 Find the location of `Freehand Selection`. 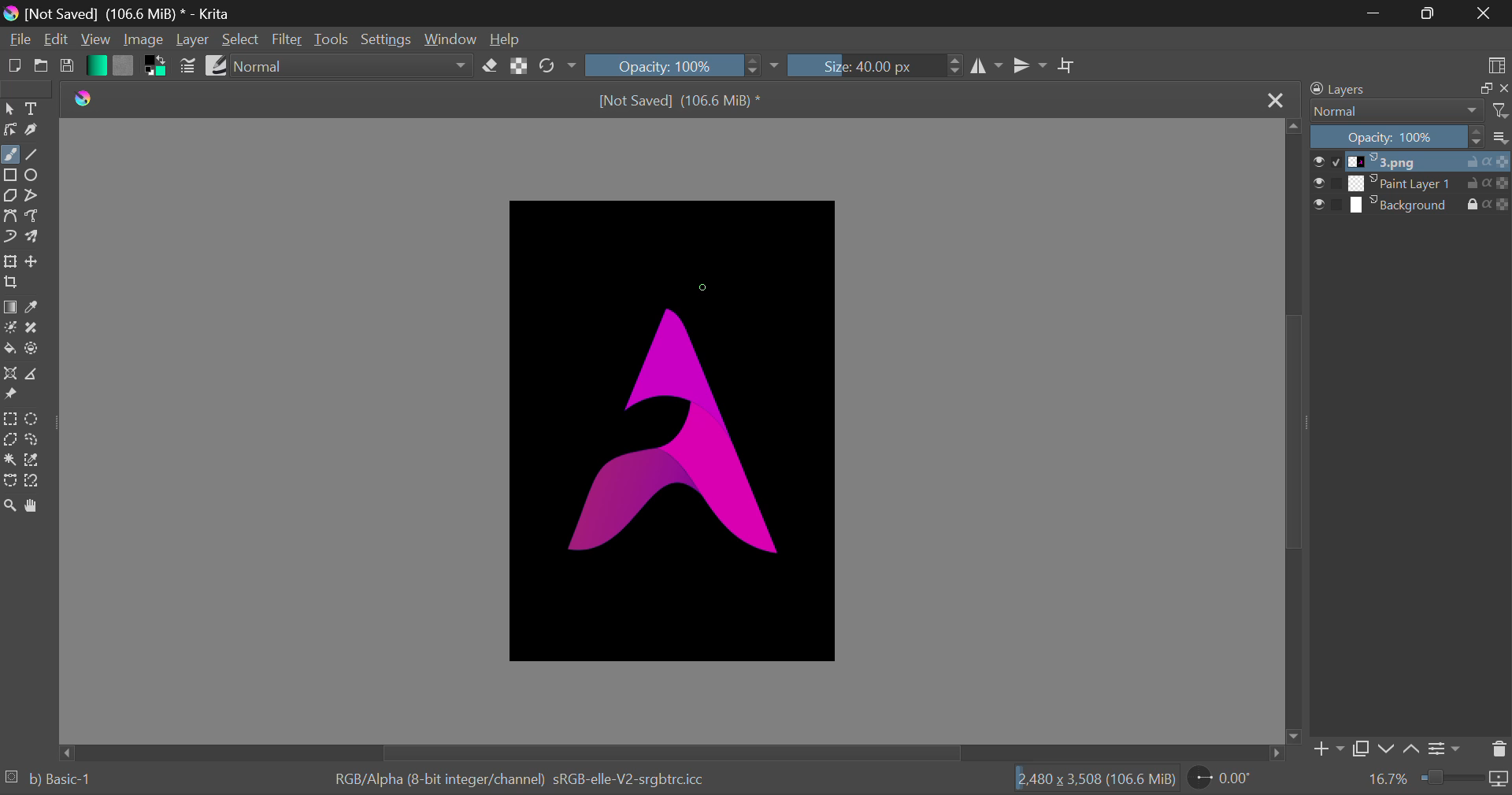

Freehand Selection is located at coordinates (32, 439).